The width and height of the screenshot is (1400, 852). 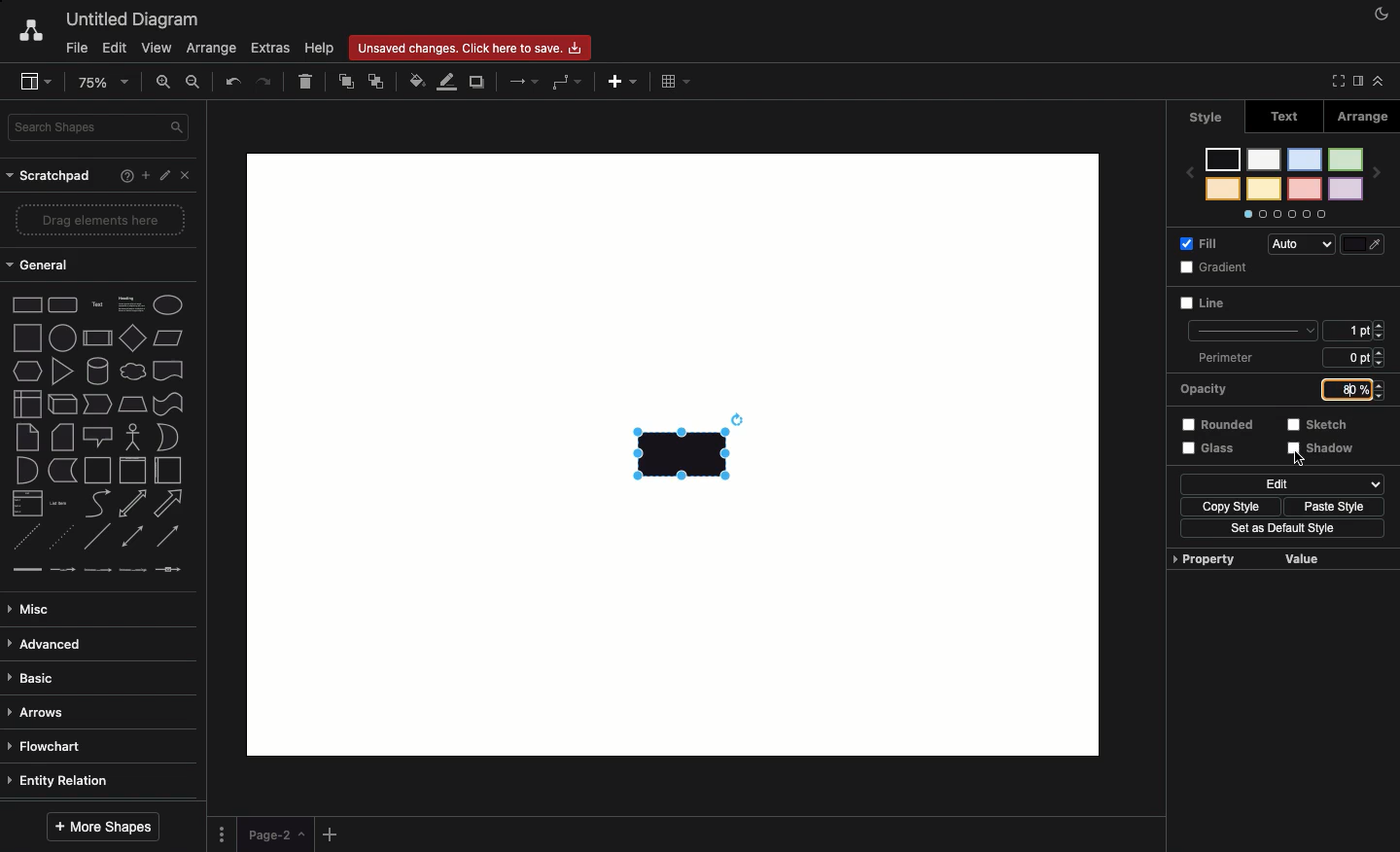 I want to click on Style, so click(x=1201, y=119).